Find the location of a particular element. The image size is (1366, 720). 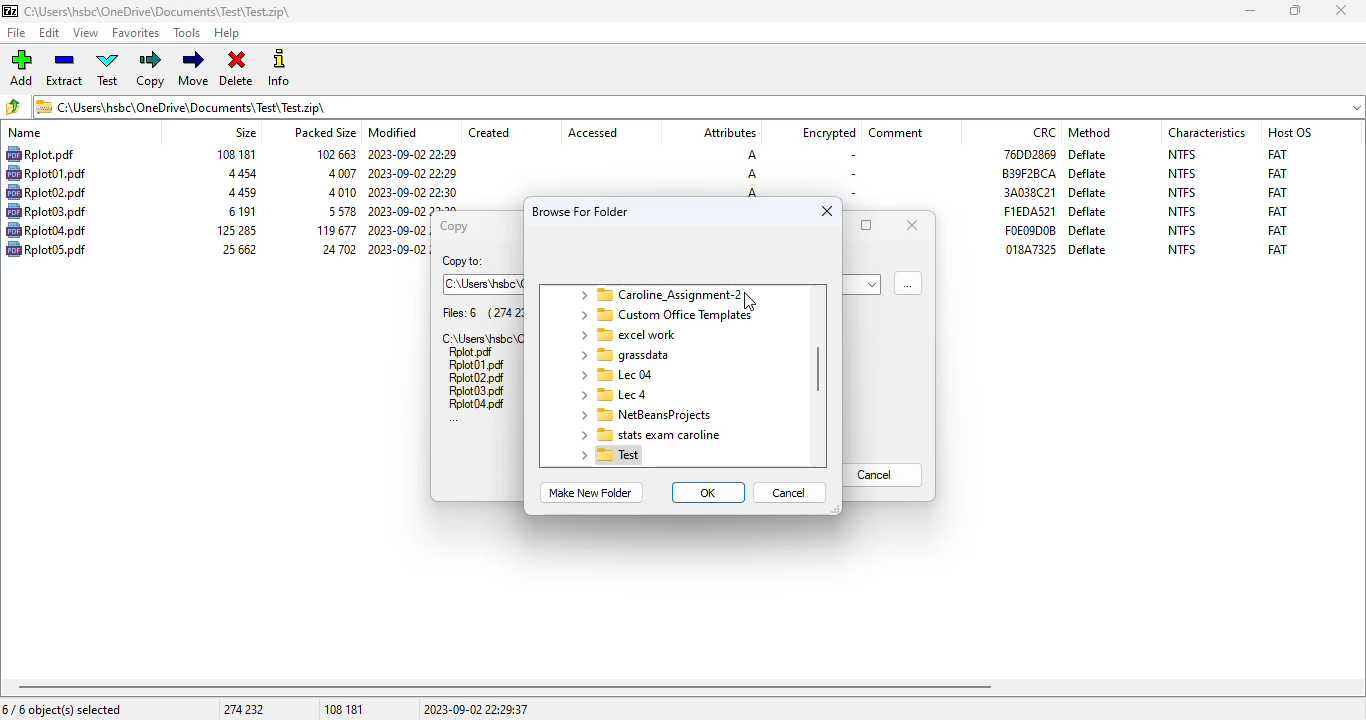

A is located at coordinates (750, 155).